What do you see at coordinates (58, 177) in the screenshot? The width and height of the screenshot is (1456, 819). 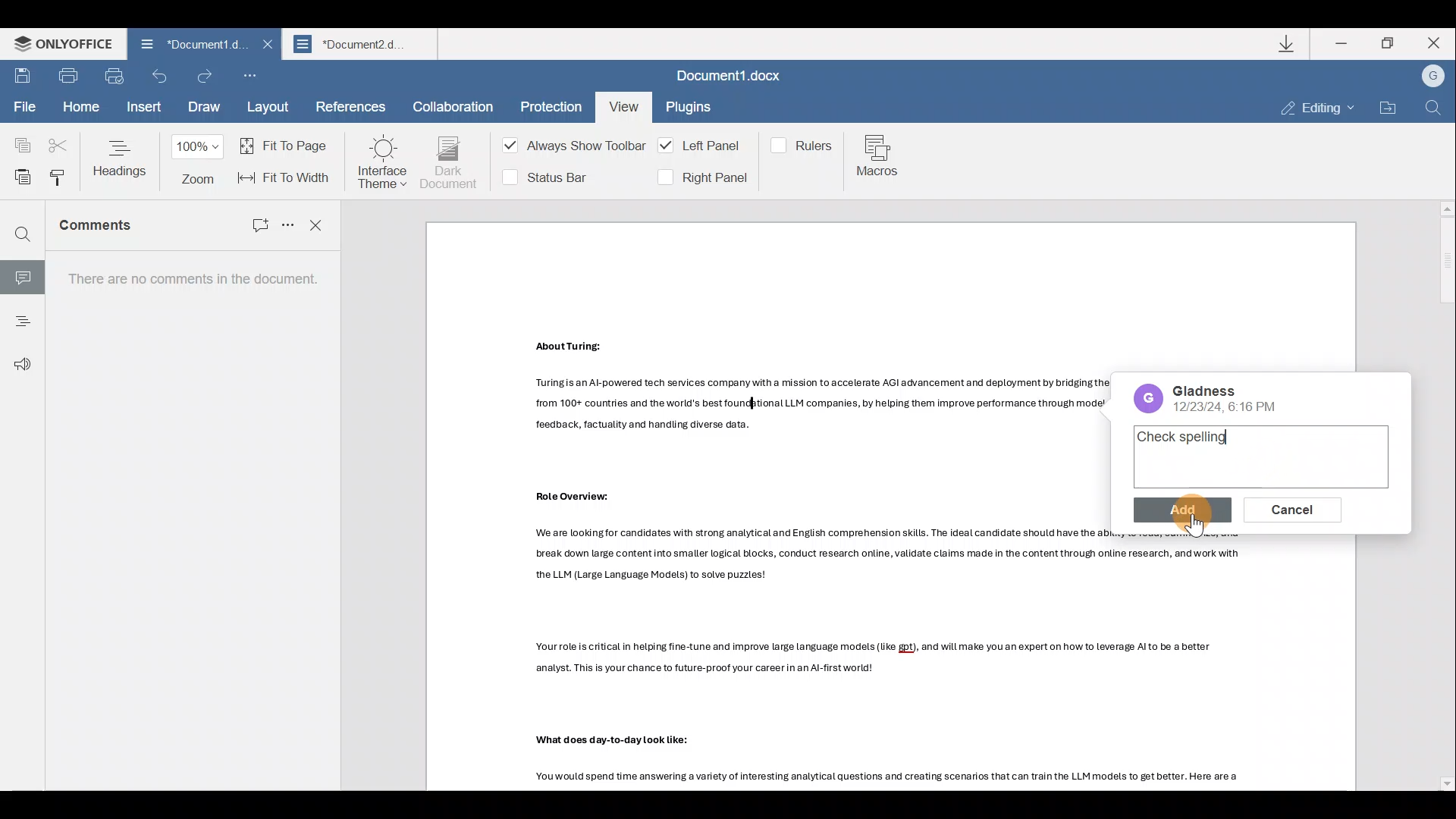 I see `Copy style` at bounding box center [58, 177].